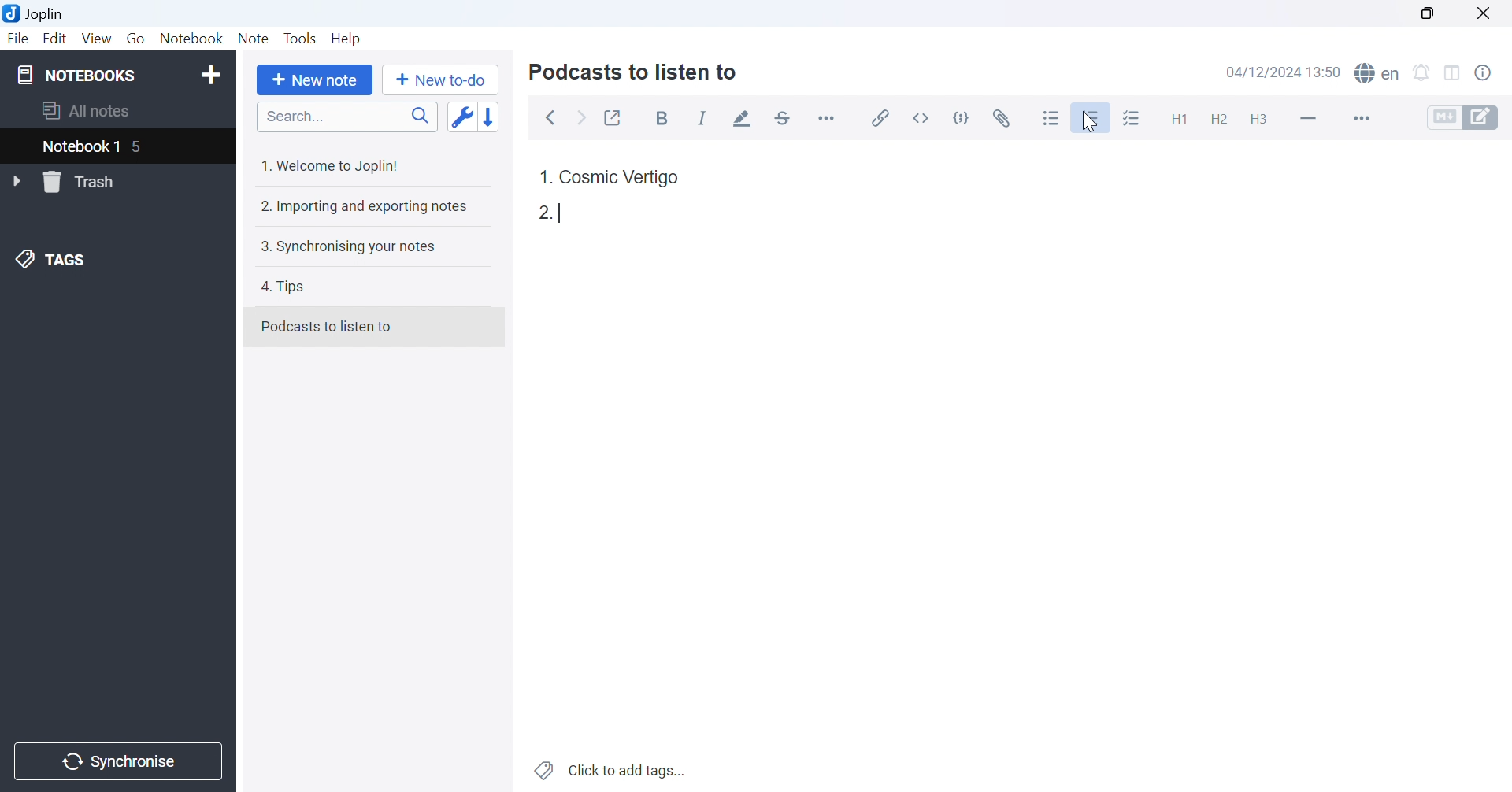  I want to click on Go, so click(135, 38).